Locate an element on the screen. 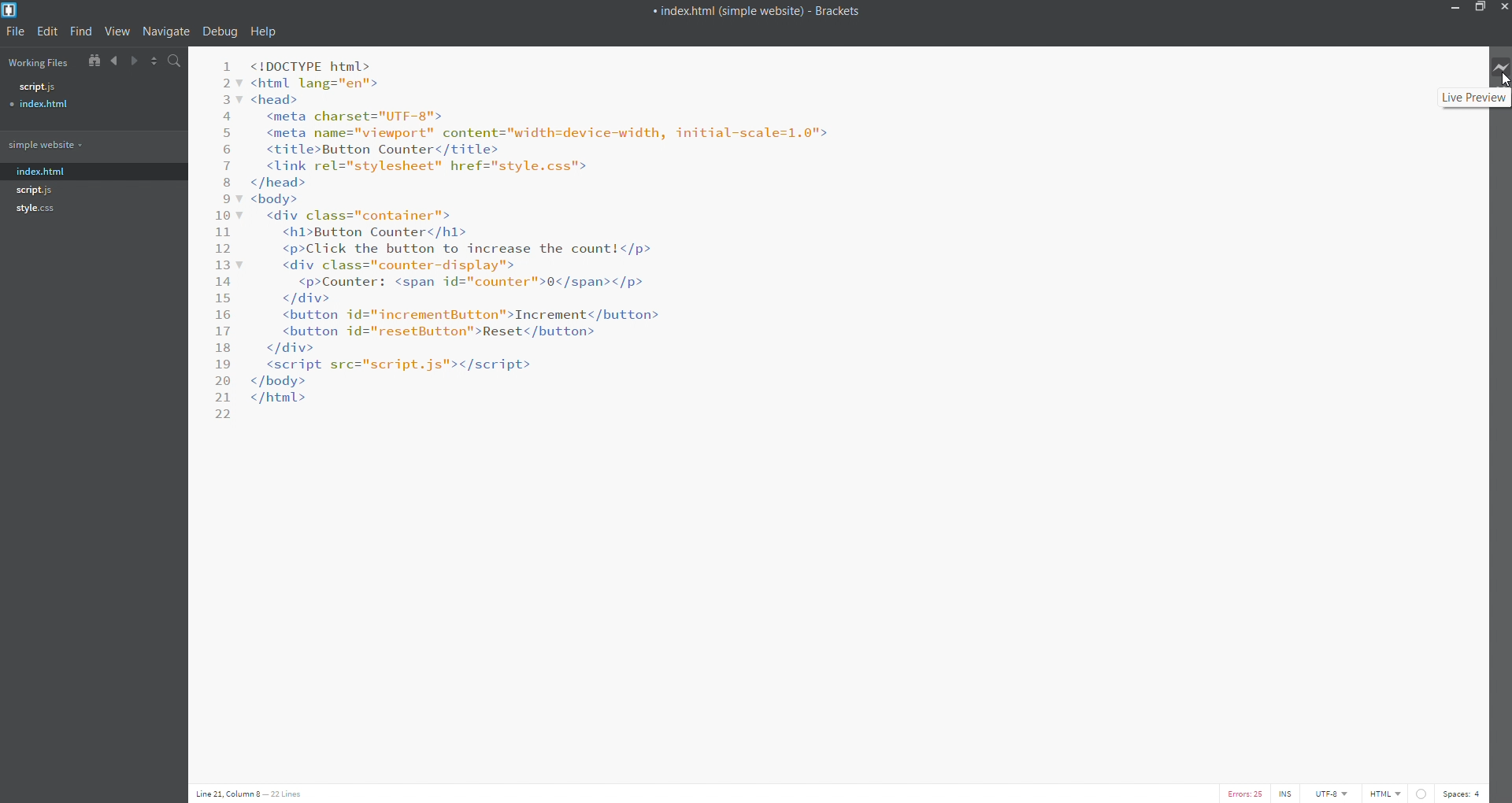 The width and height of the screenshot is (1512, 803). live preview is located at coordinates (1499, 65).